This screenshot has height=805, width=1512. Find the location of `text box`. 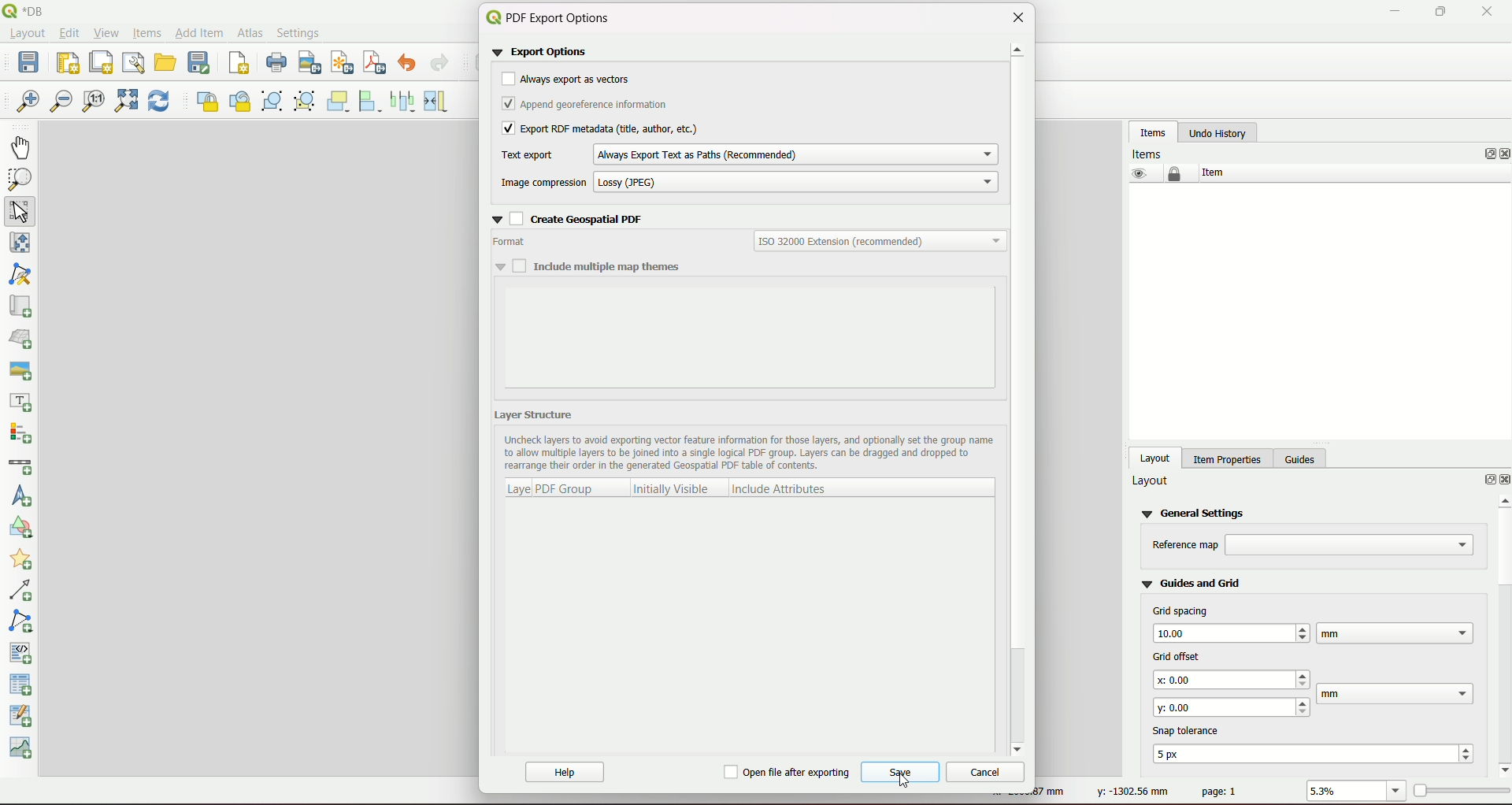

text box is located at coordinates (1317, 753).